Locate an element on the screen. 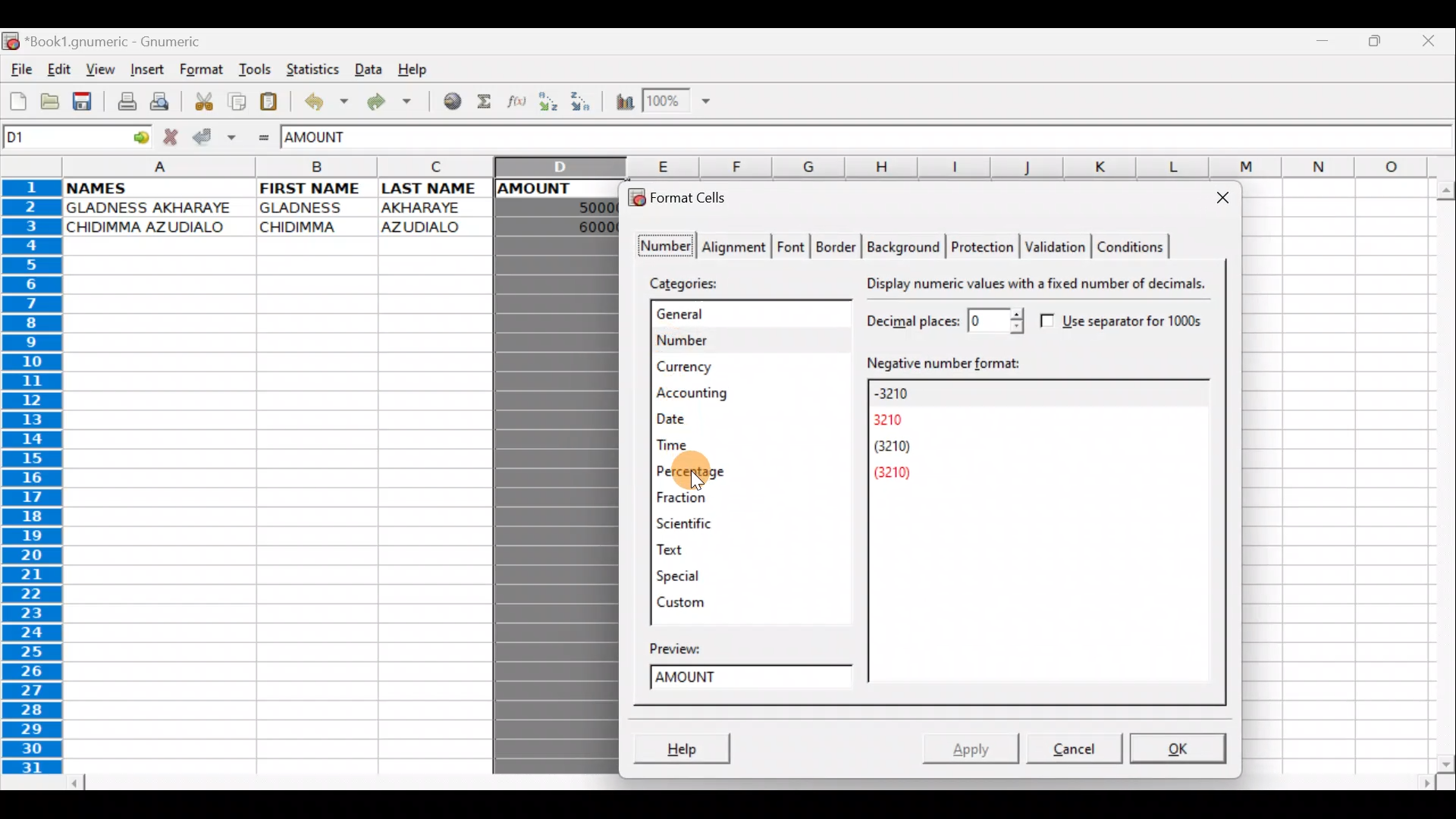 This screenshot has width=1456, height=819. Print file is located at coordinates (121, 100).